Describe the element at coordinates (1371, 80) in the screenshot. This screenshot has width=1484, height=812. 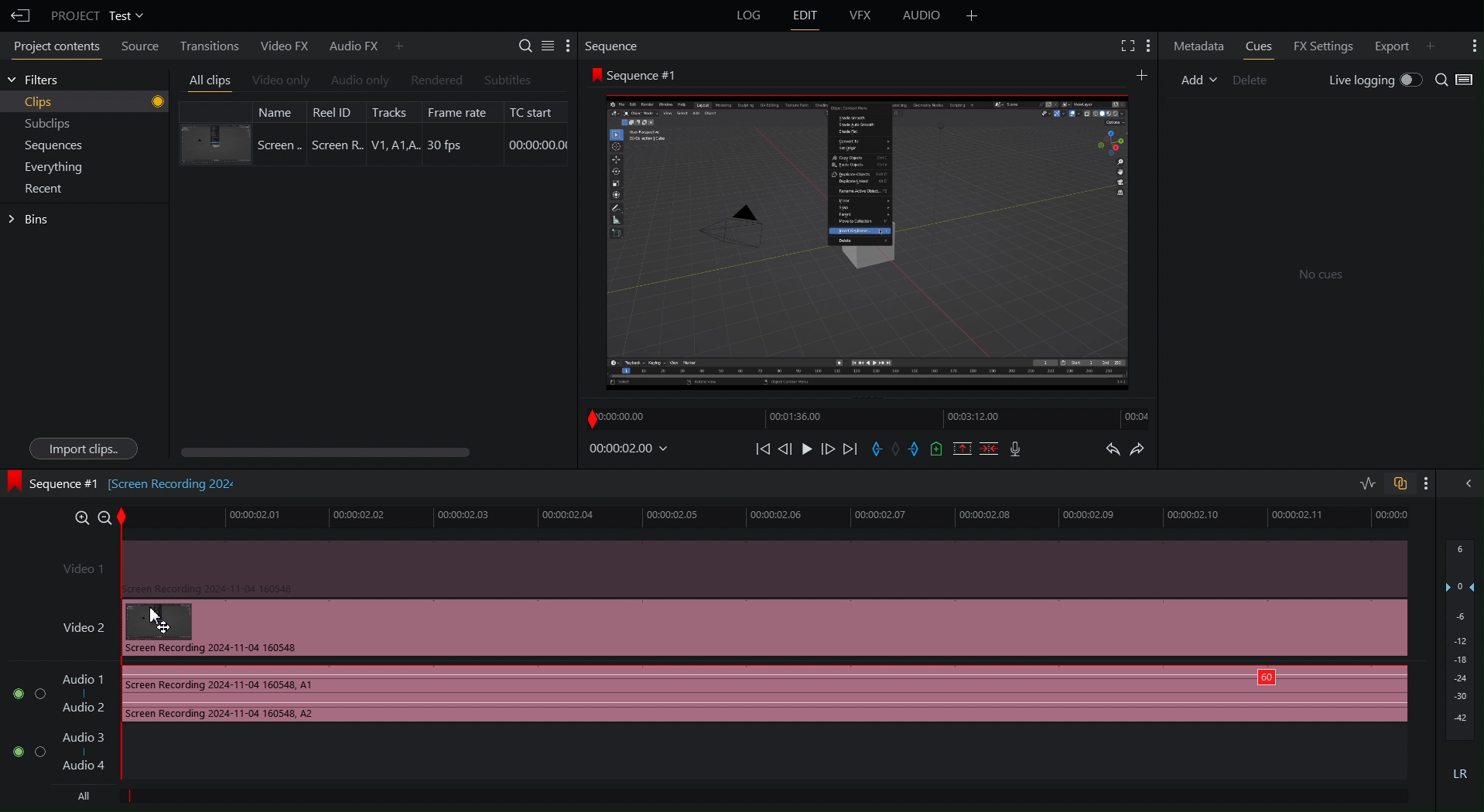
I see `Live Logging` at that location.